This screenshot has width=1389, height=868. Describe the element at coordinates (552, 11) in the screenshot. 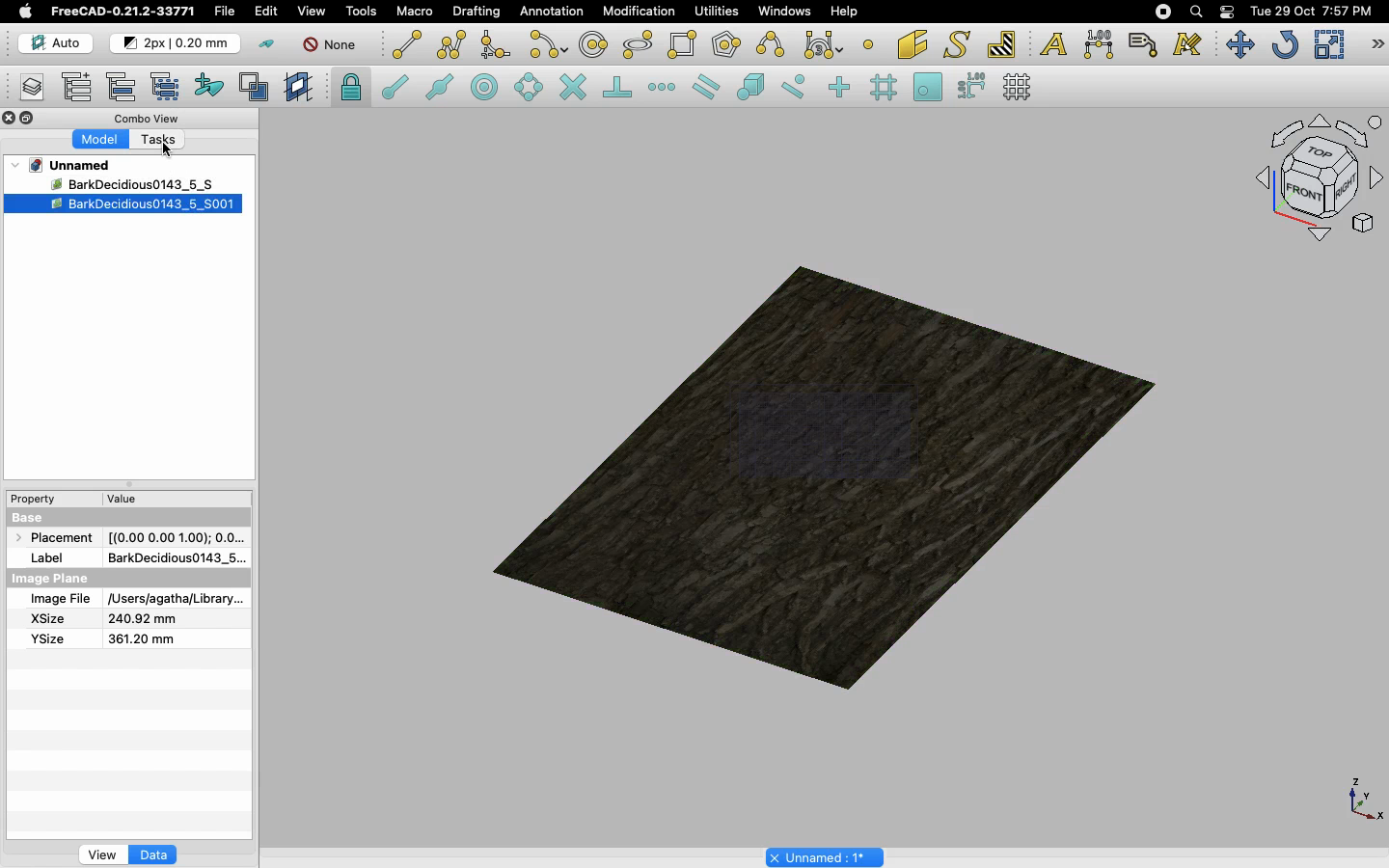

I see `Annotation` at that location.